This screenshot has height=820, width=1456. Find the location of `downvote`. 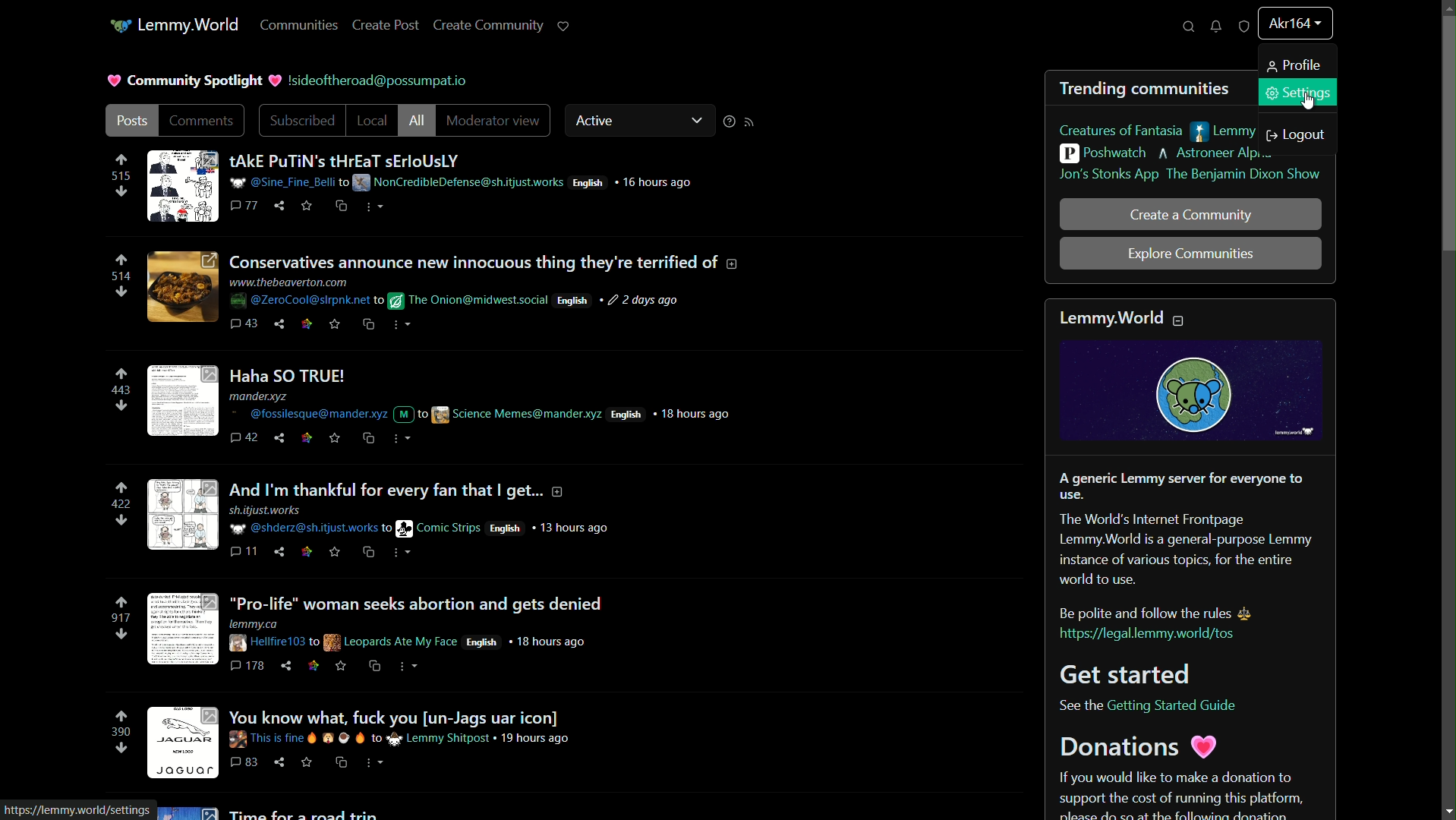

downvote is located at coordinates (120, 749).